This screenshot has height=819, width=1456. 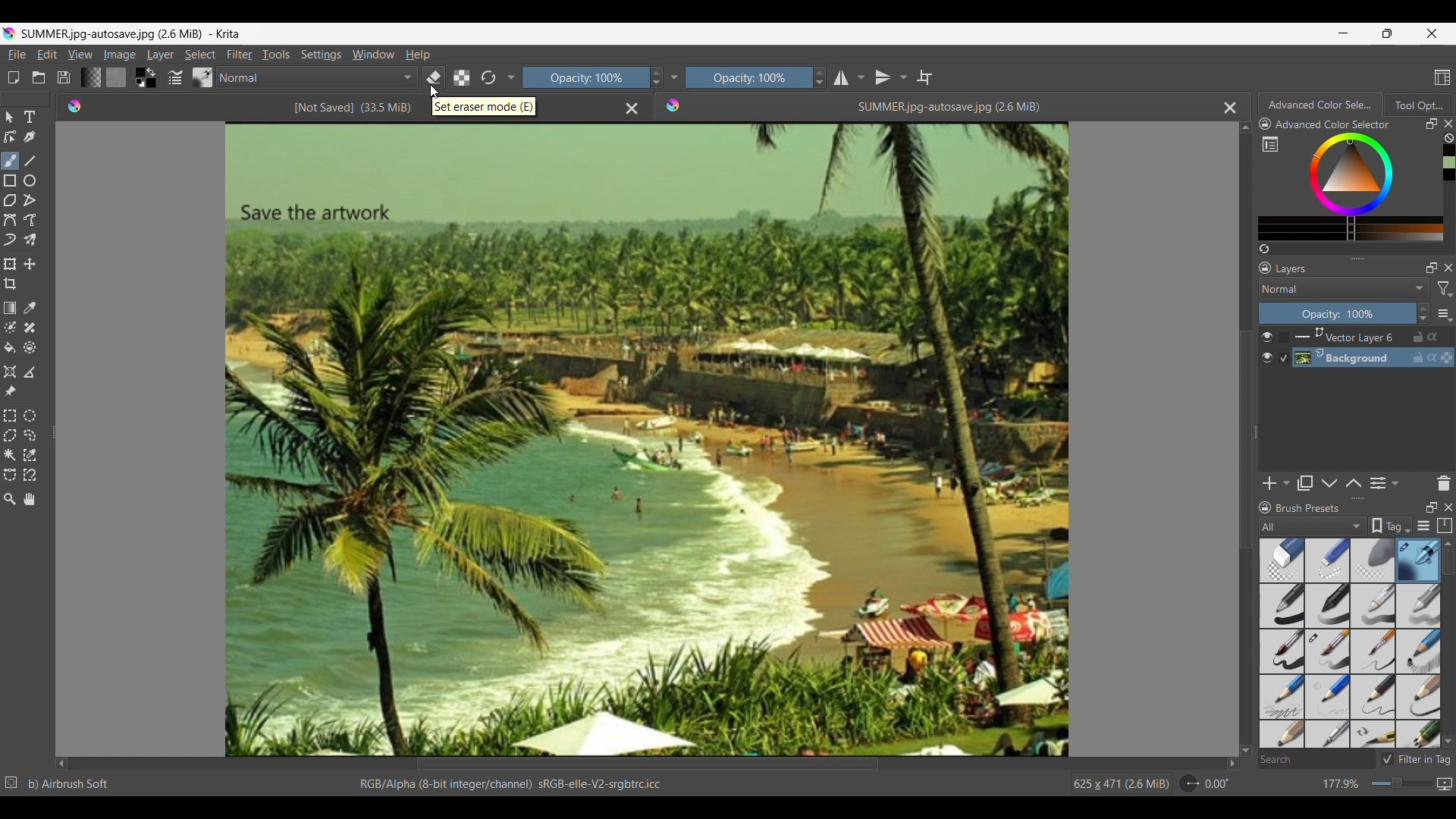 I want to click on Polygon tool, so click(x=11, y=200).